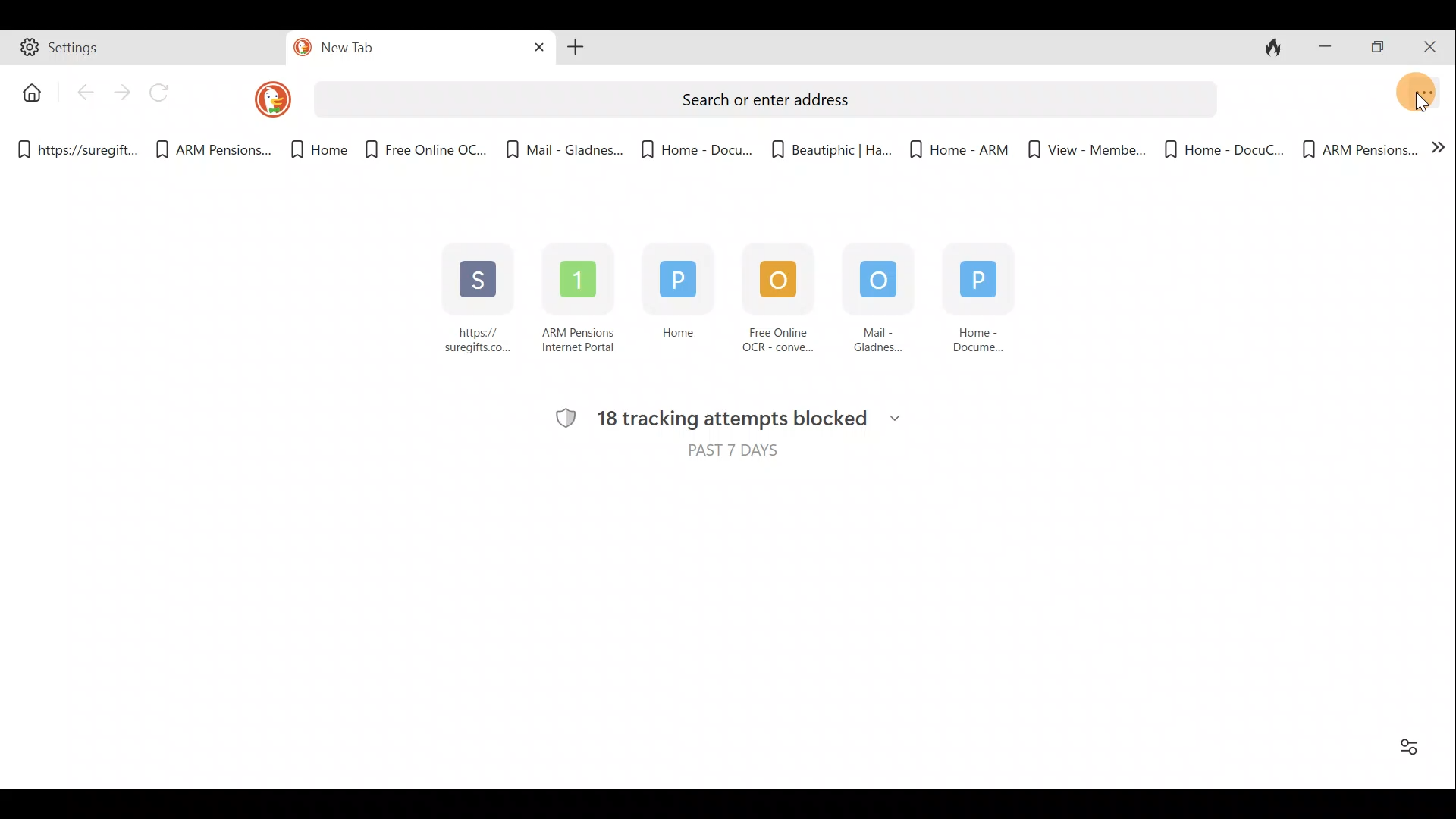  I want to click on Show more bookmarks, so click(1439, 152).